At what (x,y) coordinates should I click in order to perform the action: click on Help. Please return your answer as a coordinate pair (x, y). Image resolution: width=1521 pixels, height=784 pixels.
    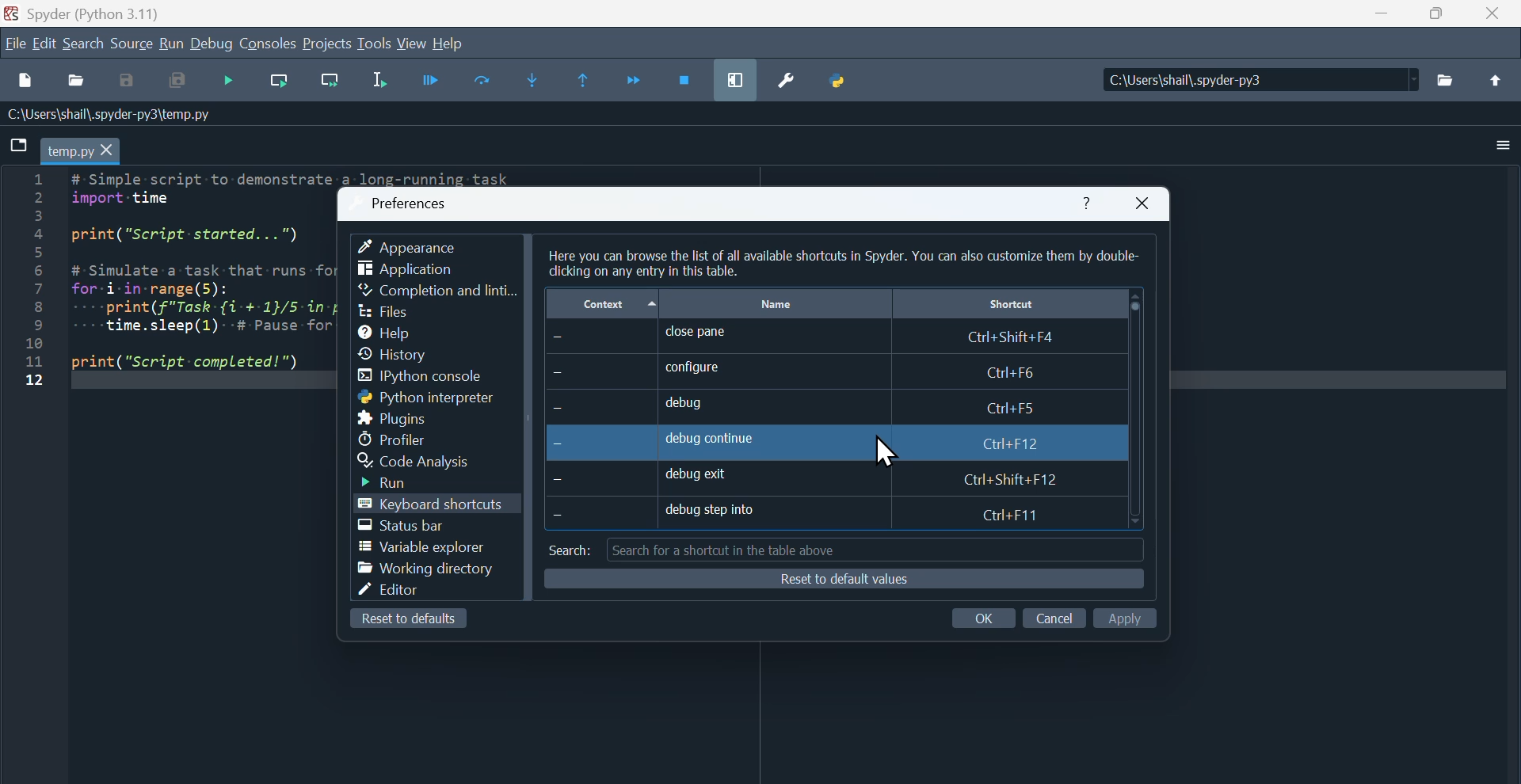
    Looking at the image, I should click on (397, 330).